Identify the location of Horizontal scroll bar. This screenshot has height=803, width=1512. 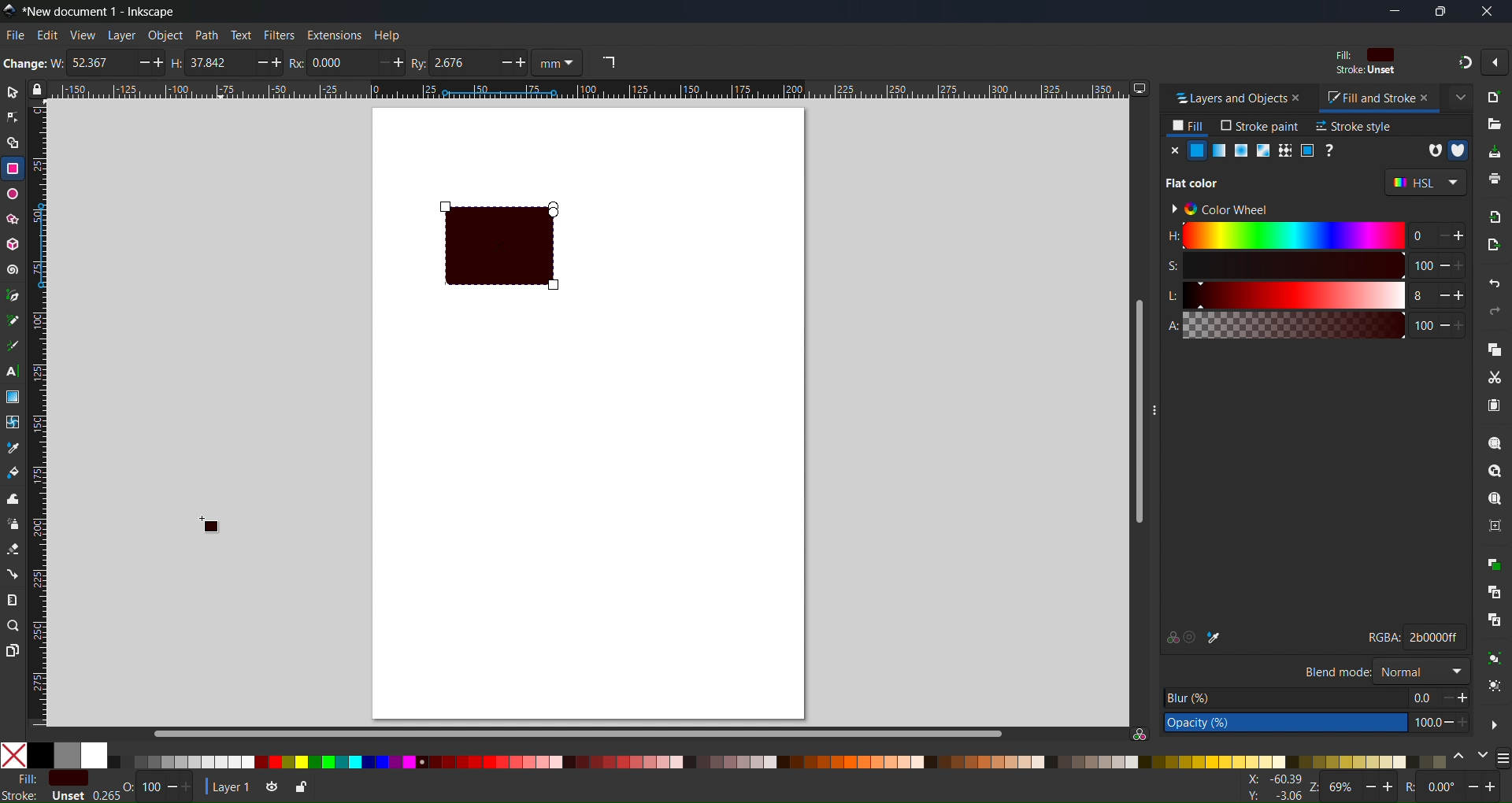
(576, 732).